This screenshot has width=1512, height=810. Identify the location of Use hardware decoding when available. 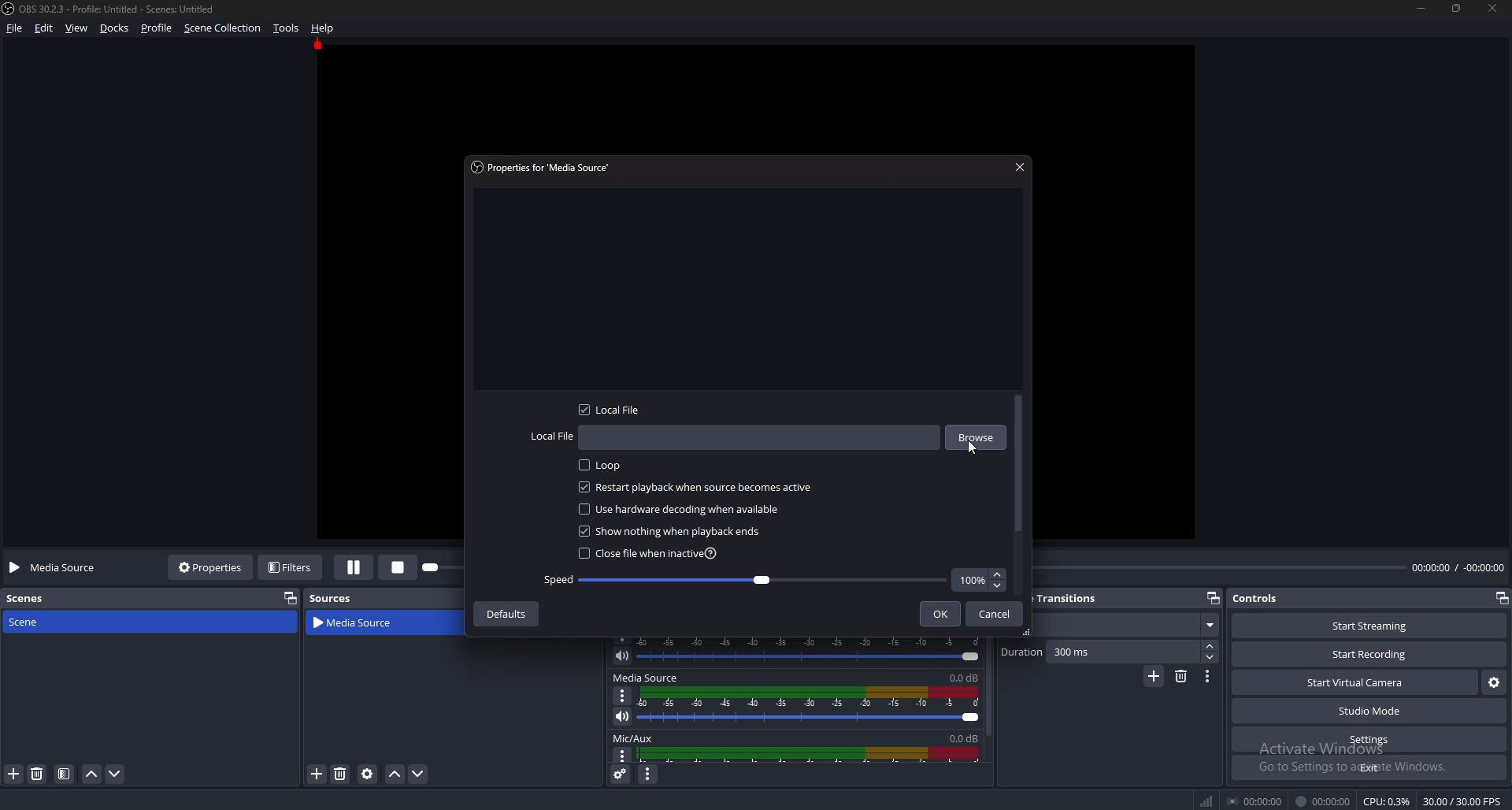
(684, 508).